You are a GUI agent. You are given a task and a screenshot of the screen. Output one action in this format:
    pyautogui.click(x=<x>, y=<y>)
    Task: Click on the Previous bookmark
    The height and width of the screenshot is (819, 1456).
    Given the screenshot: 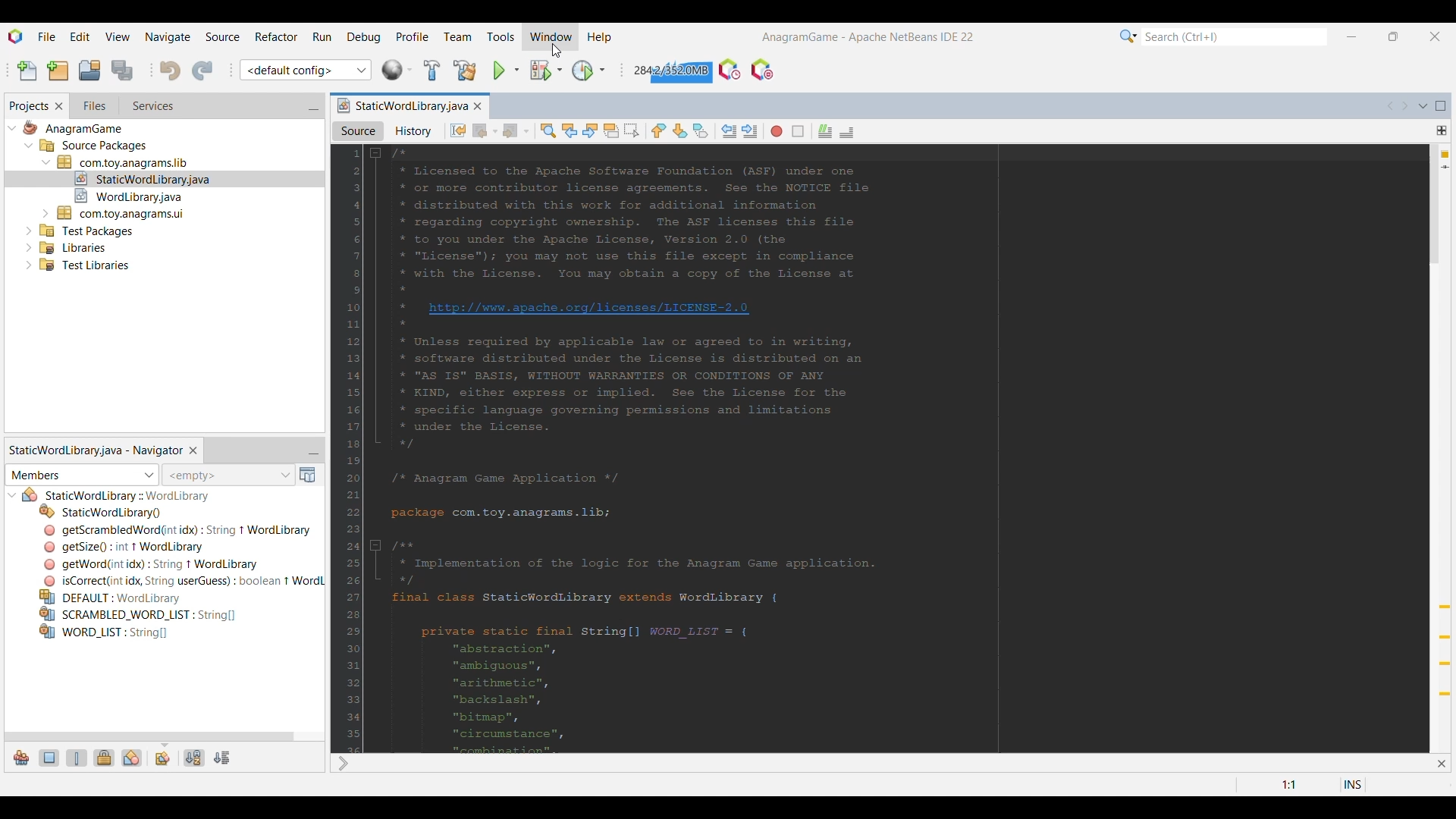 What is the action you would take?
    pyautogui.click(x=659, y=131)
    